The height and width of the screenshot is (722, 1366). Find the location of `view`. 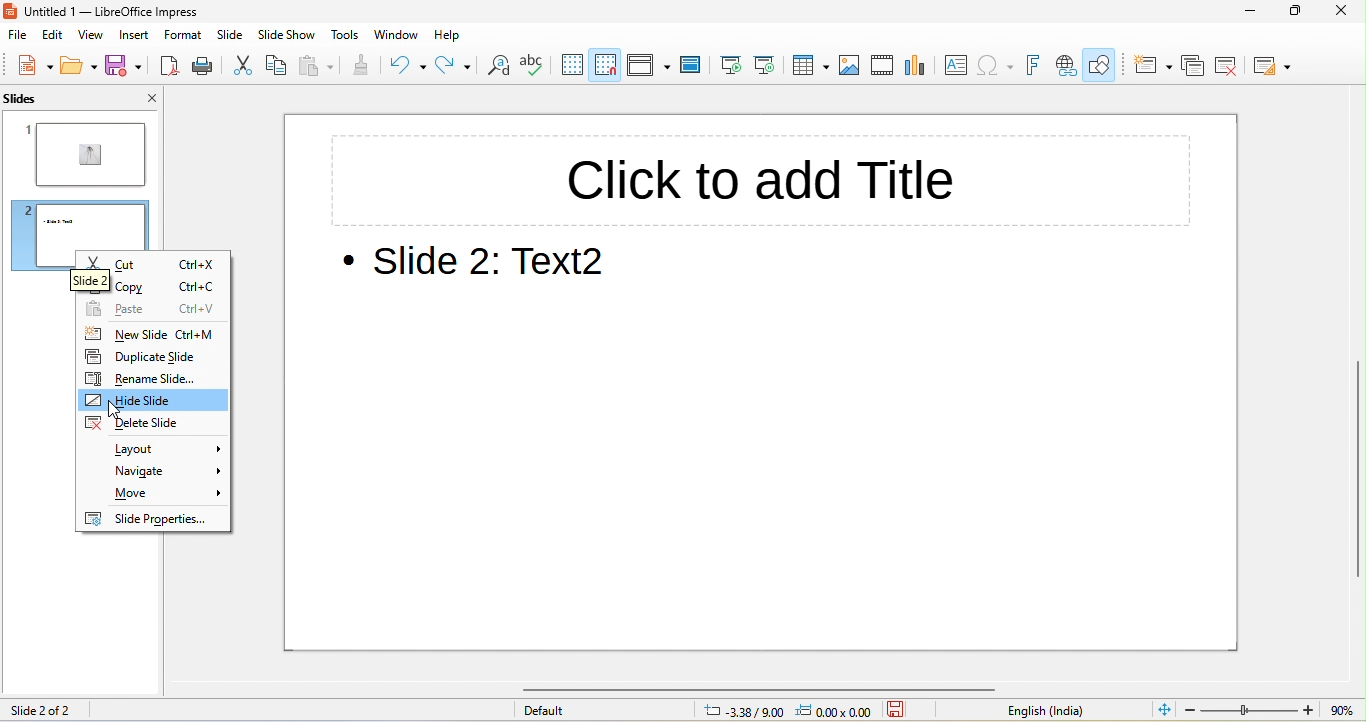

view is located at coordinates (97, 38).